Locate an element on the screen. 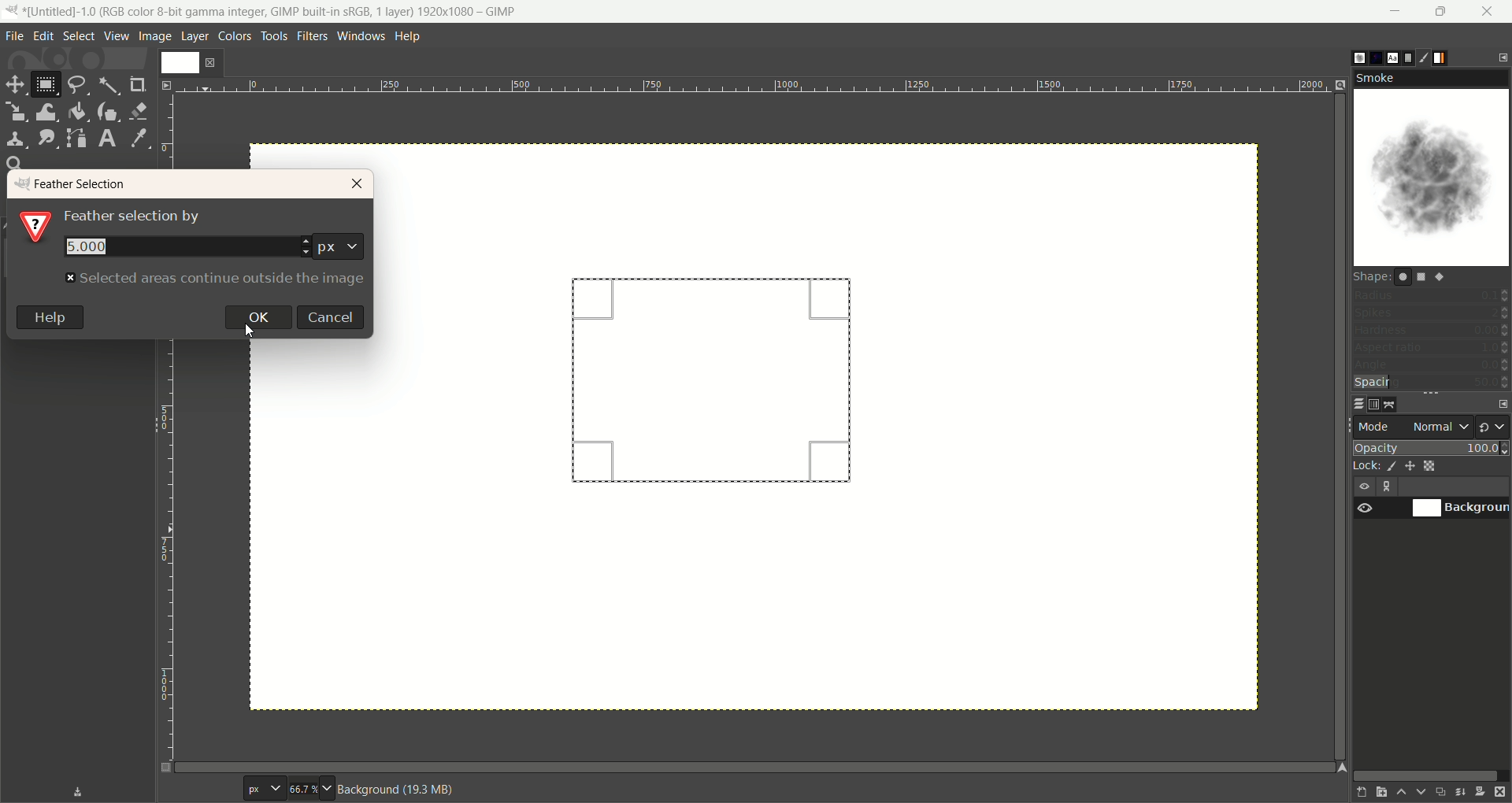 Image resolution: width=1512 pixels, height=803 pixels. scale tool is located at coordinates (17, 113).